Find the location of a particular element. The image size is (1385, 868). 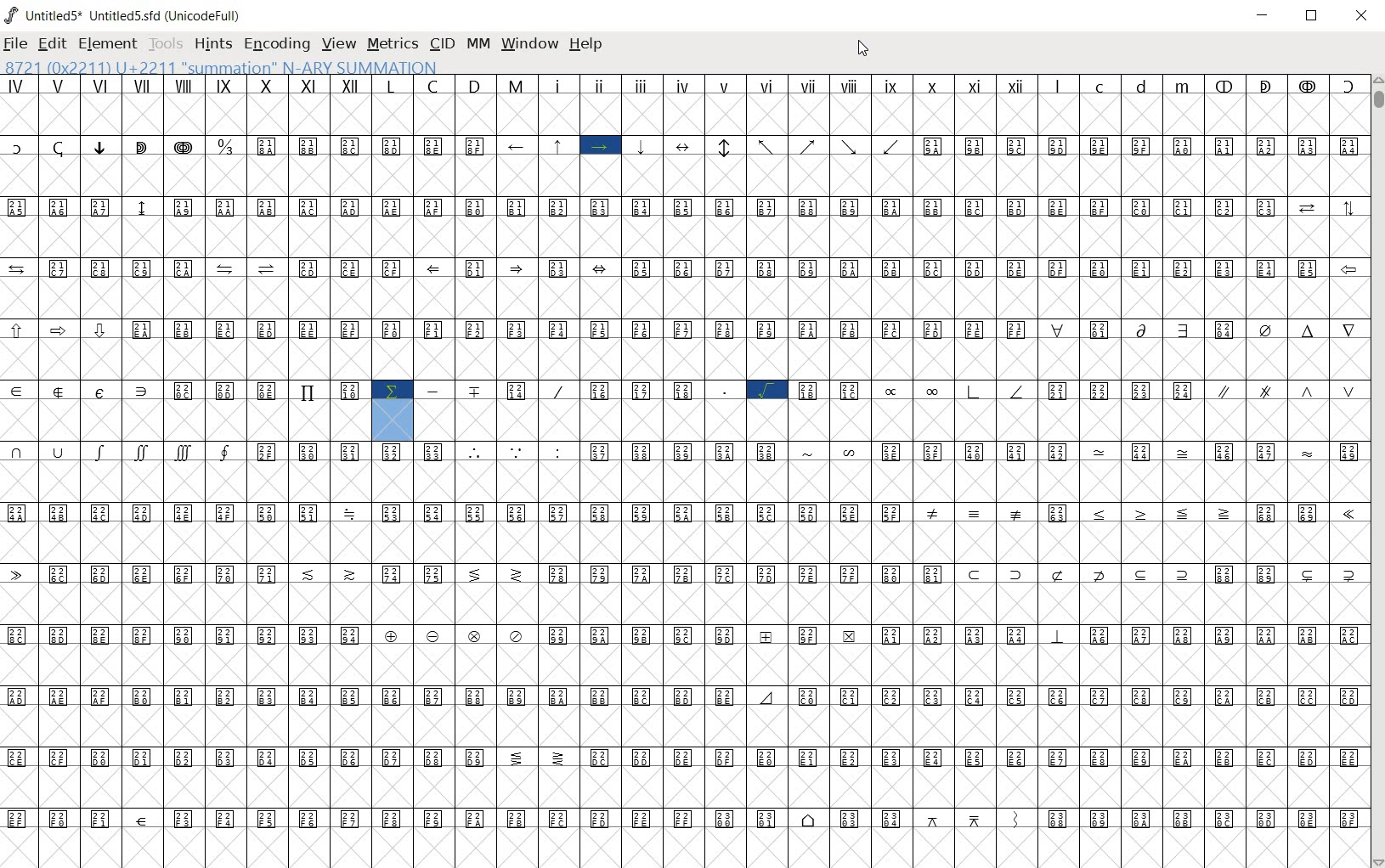

Untitled1 Untitled1.sfd (UnicodeFull) is located at coordinates (122, 15).